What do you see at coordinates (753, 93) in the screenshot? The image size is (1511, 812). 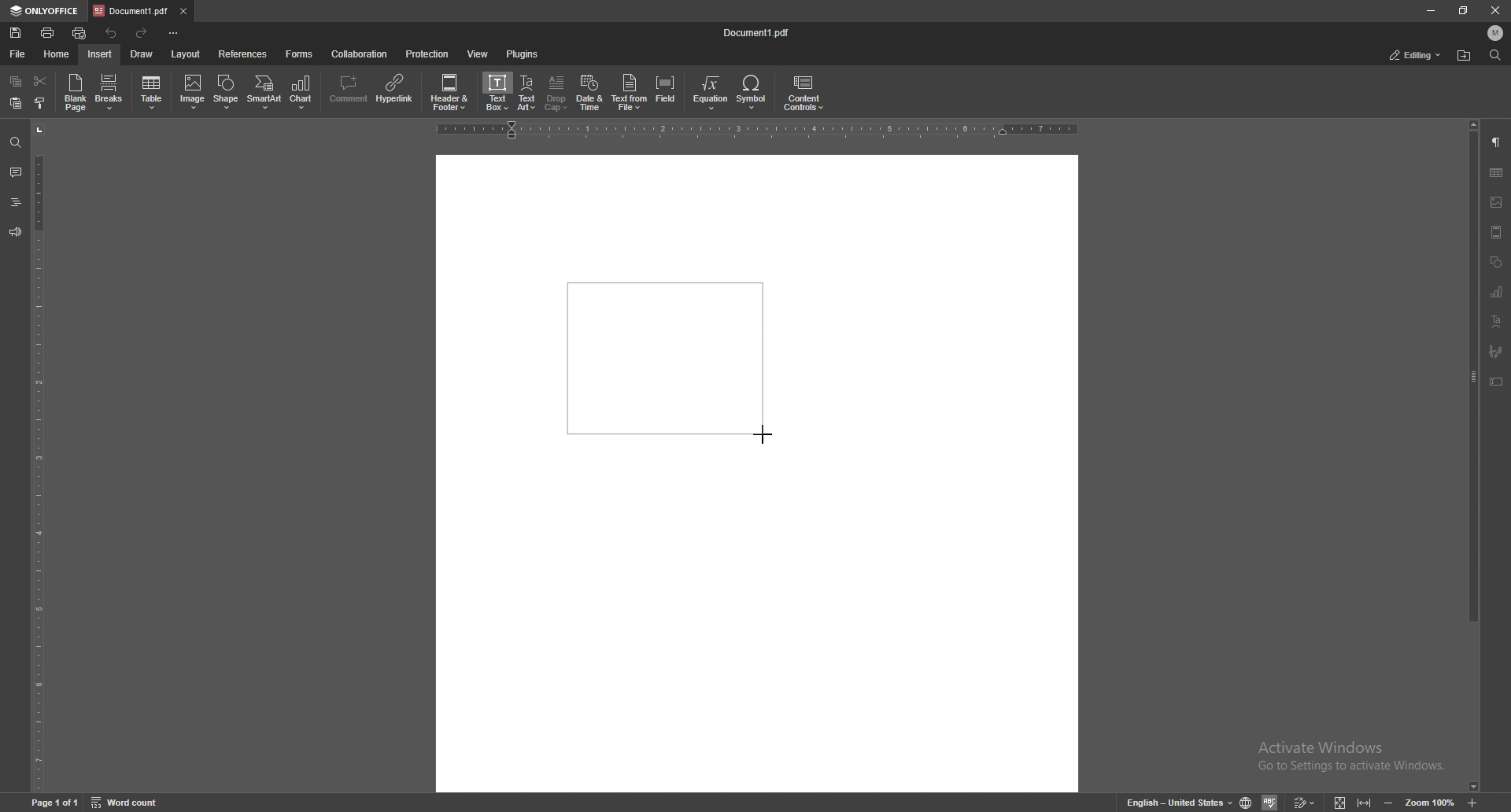 I see `symbol` at bounding box center [753, 93].